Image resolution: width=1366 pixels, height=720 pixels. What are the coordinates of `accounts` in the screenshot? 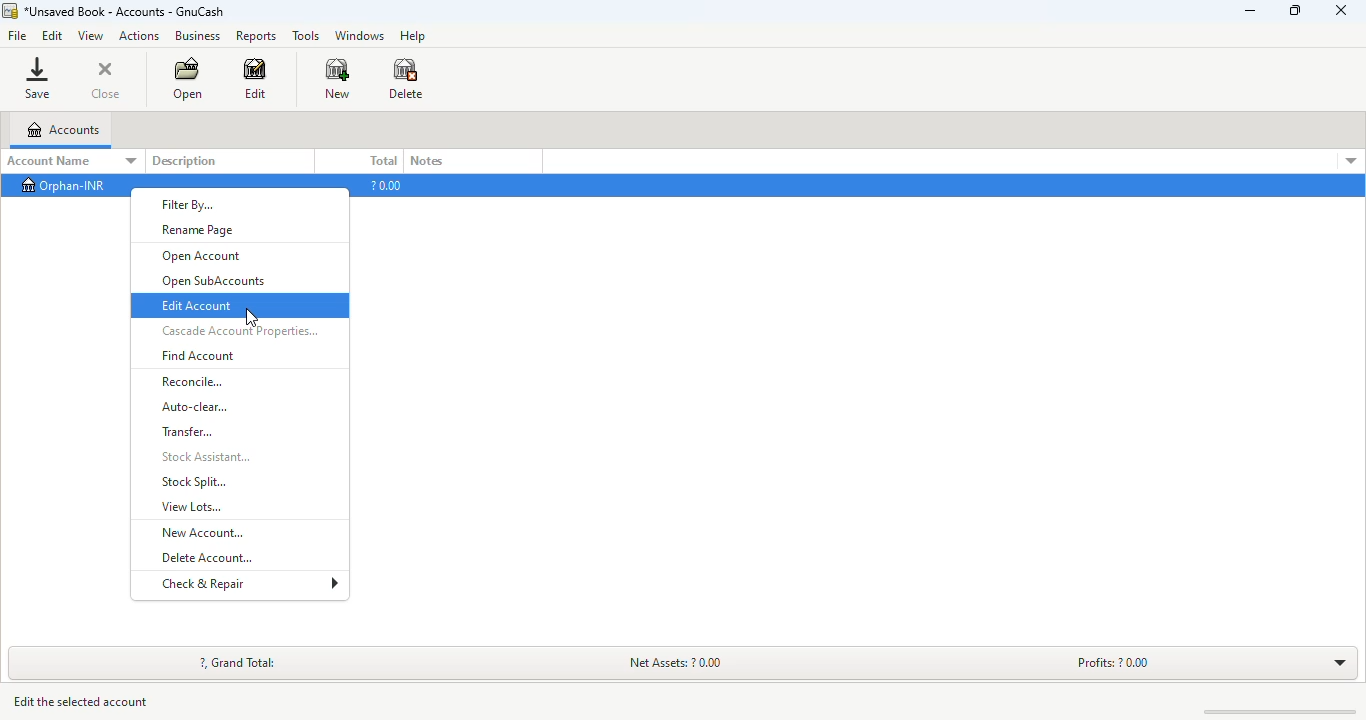 It's located at (62, 130).